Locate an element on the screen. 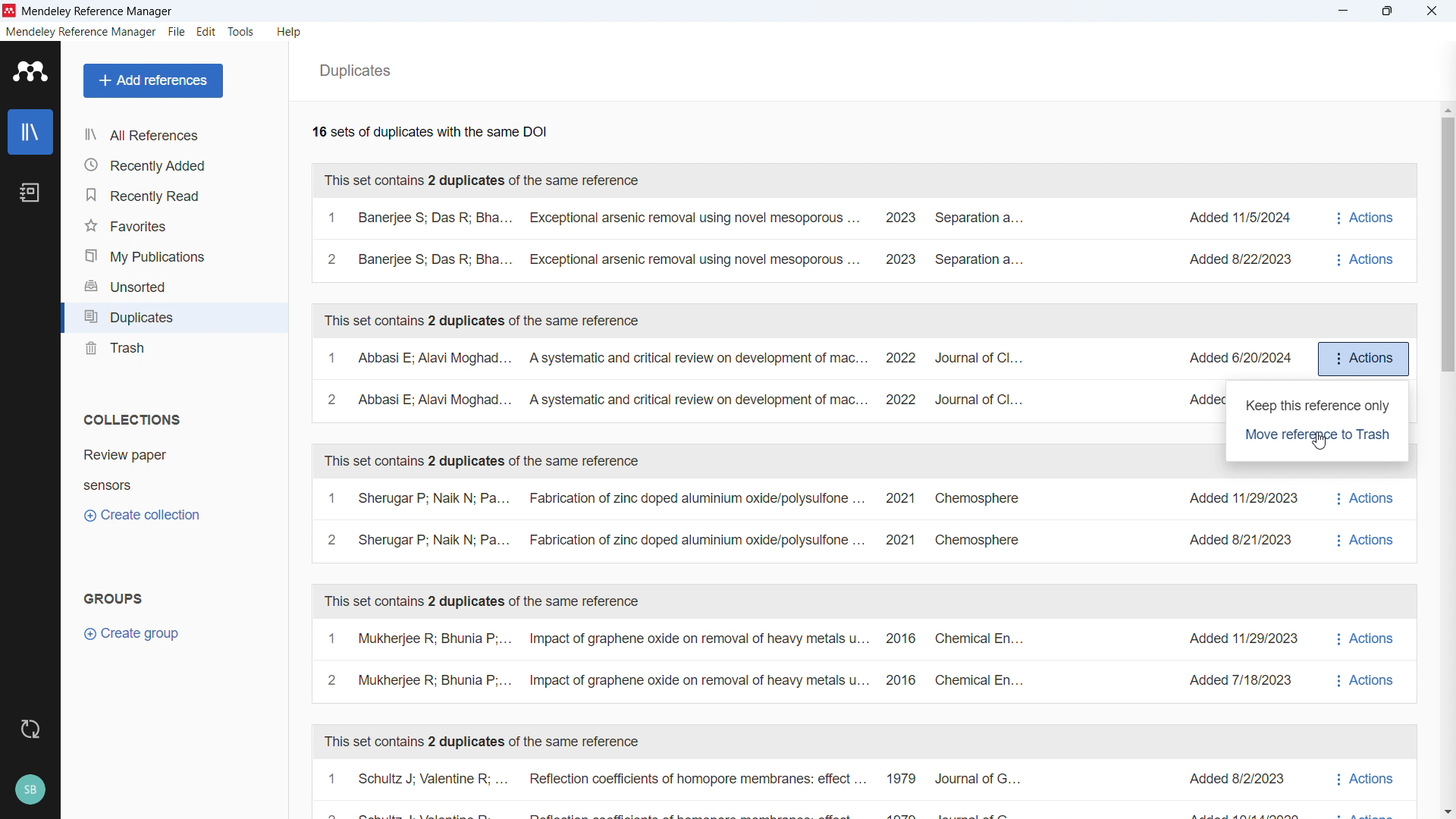  A set of duplicates  is located at coordinates (814, 521).